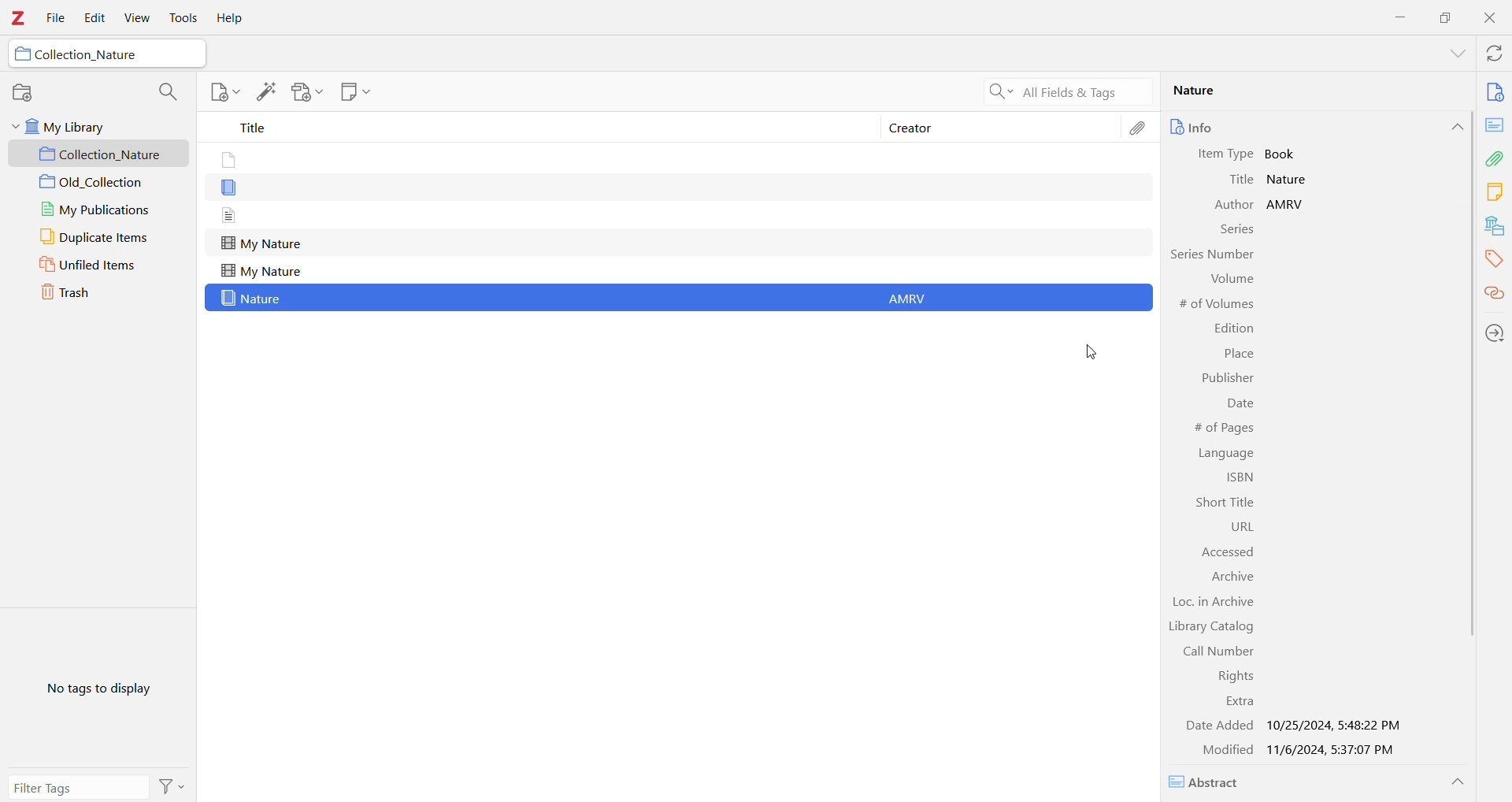  What do you see at coordinates (1234, 329) in the screenshot?
I see `Edition` at bounding box center [1234, 329].